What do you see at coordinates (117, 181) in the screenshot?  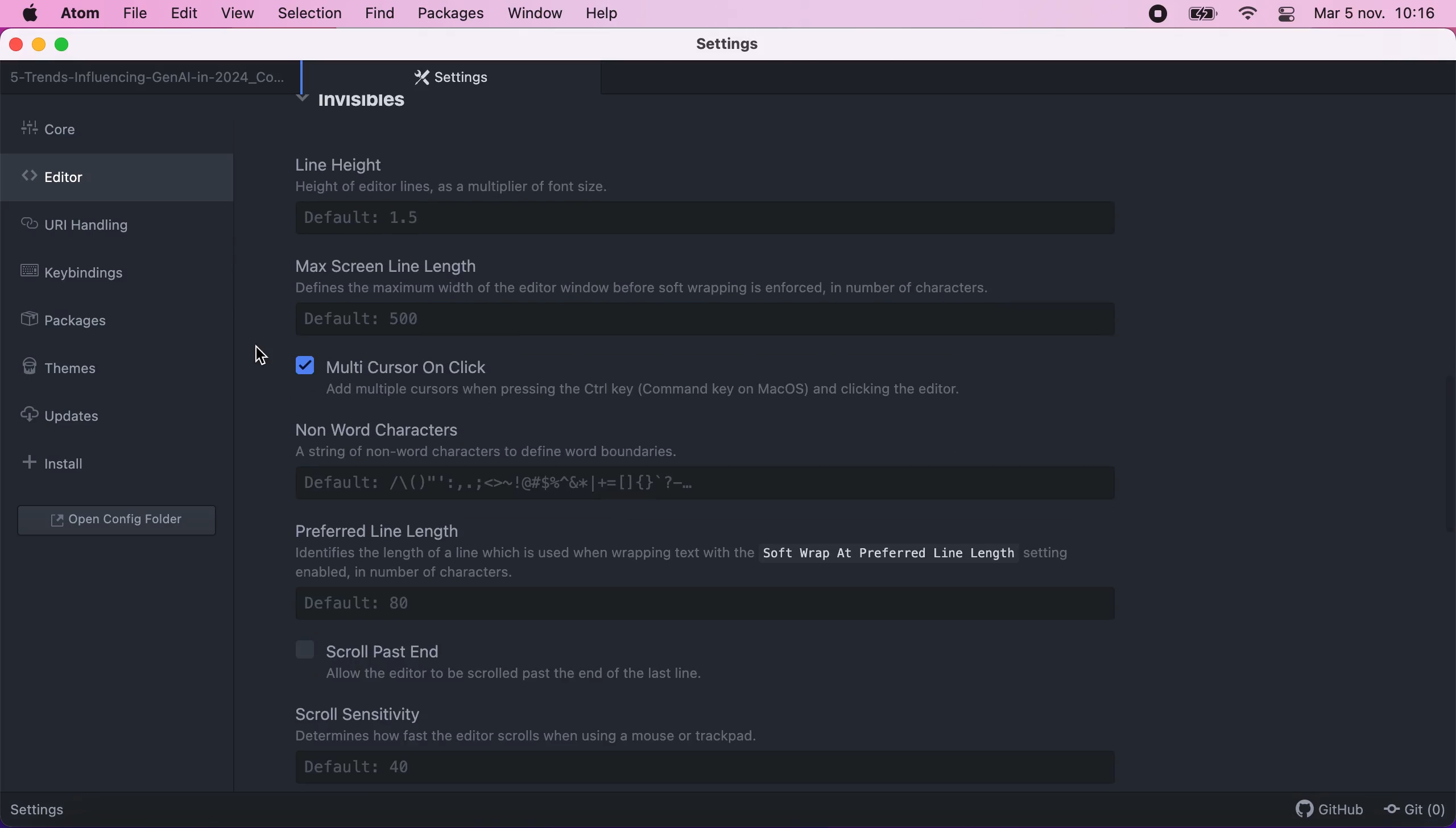 I see `editor` at bounding box center [117, 181].